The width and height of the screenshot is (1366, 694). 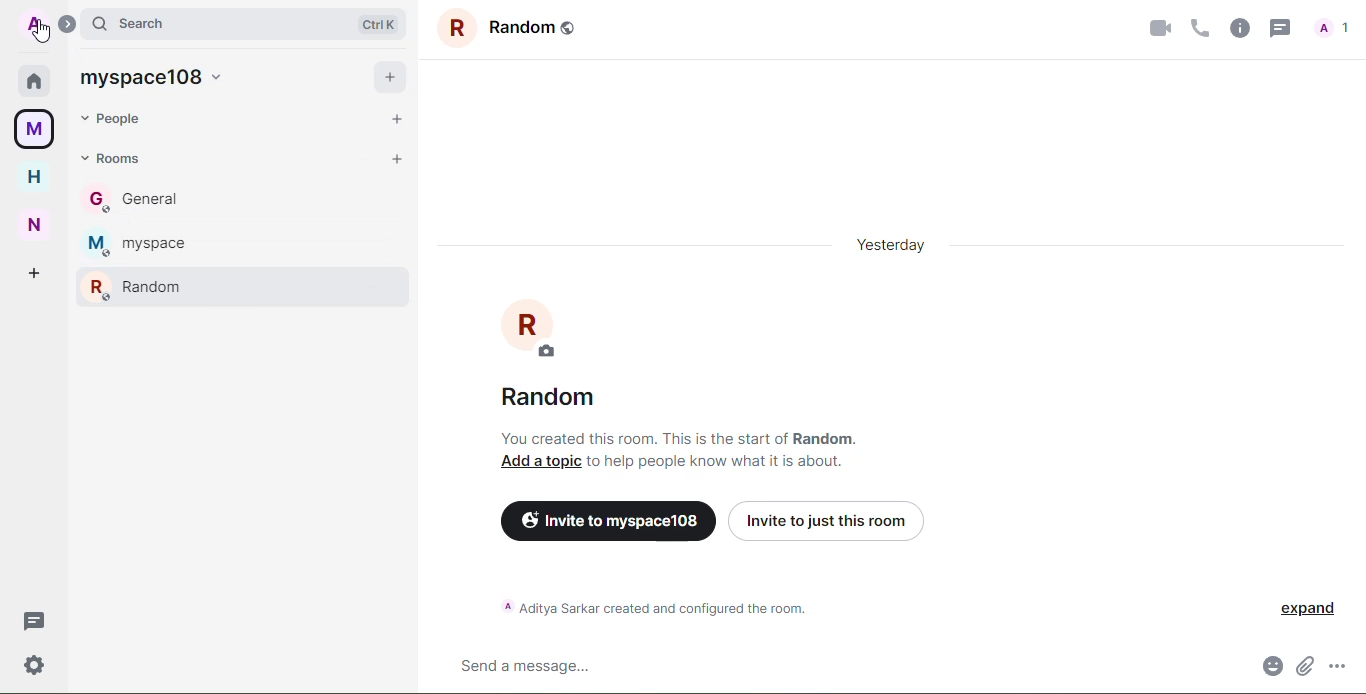 What do you see at coordinates (69, 22) in the screenshot?
I see `expand` at bounding box center [69, 22].